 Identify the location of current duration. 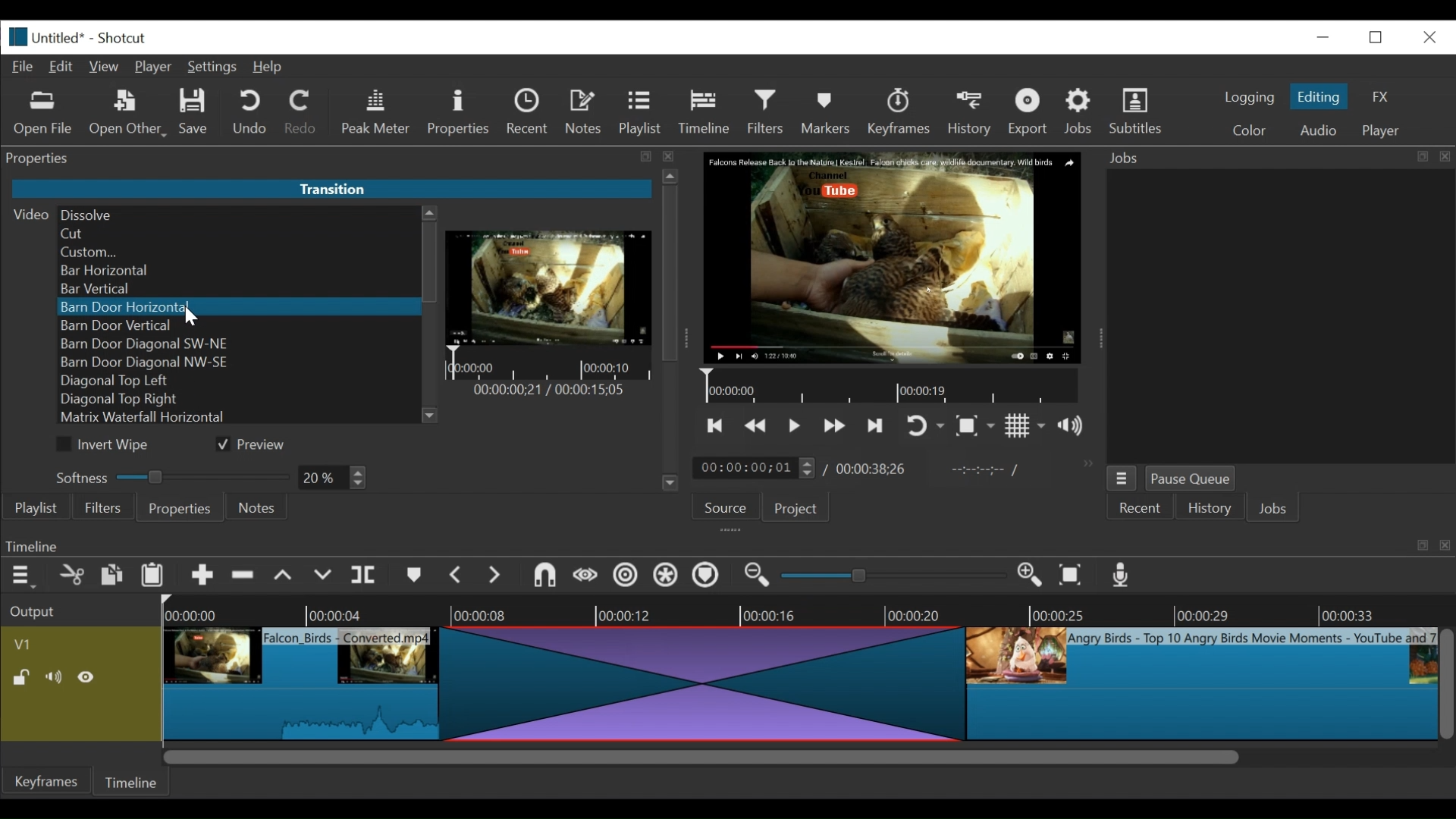
(756, 469).